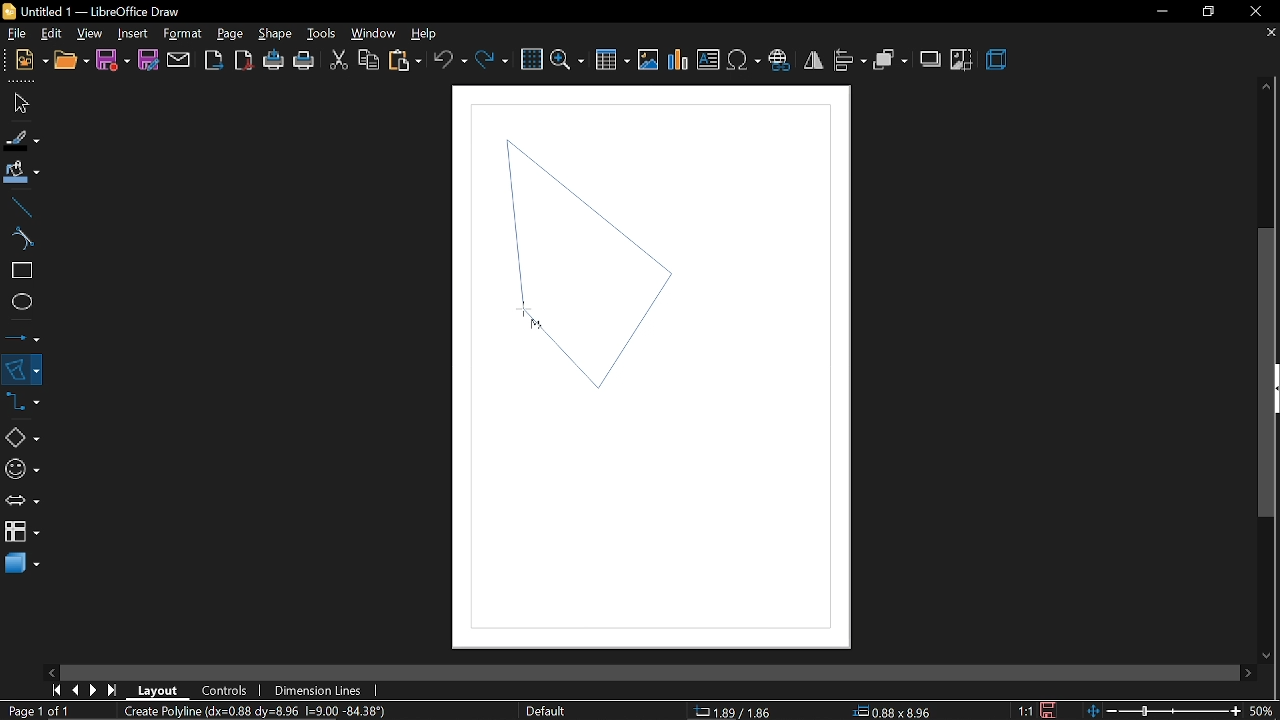  What do you see at coordinates (546, 711) in the screenshot?
I see `page style` at bounding box center [546, 711].